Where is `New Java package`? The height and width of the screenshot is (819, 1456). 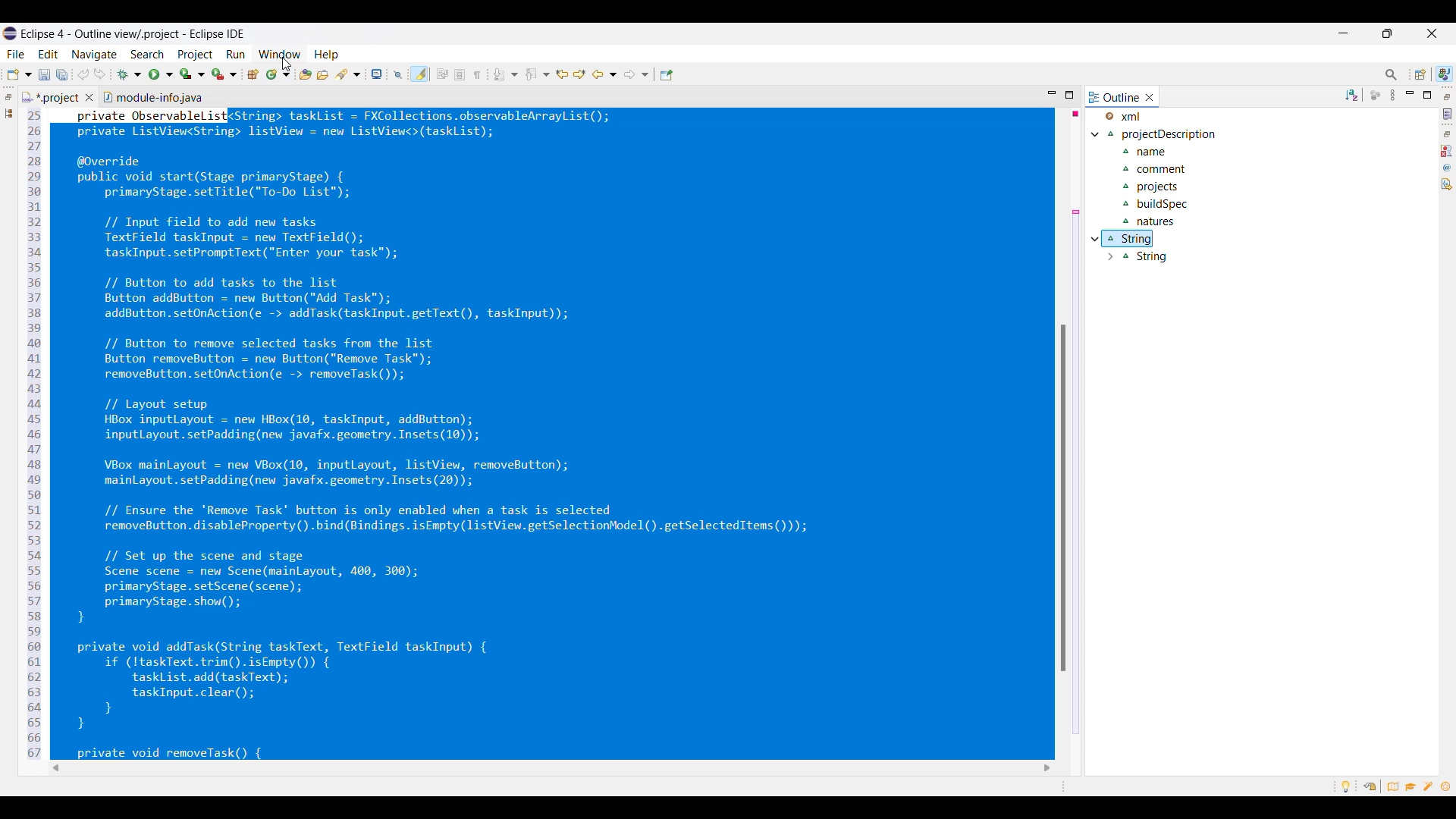
New Java package is located at coordinates (253, 74).